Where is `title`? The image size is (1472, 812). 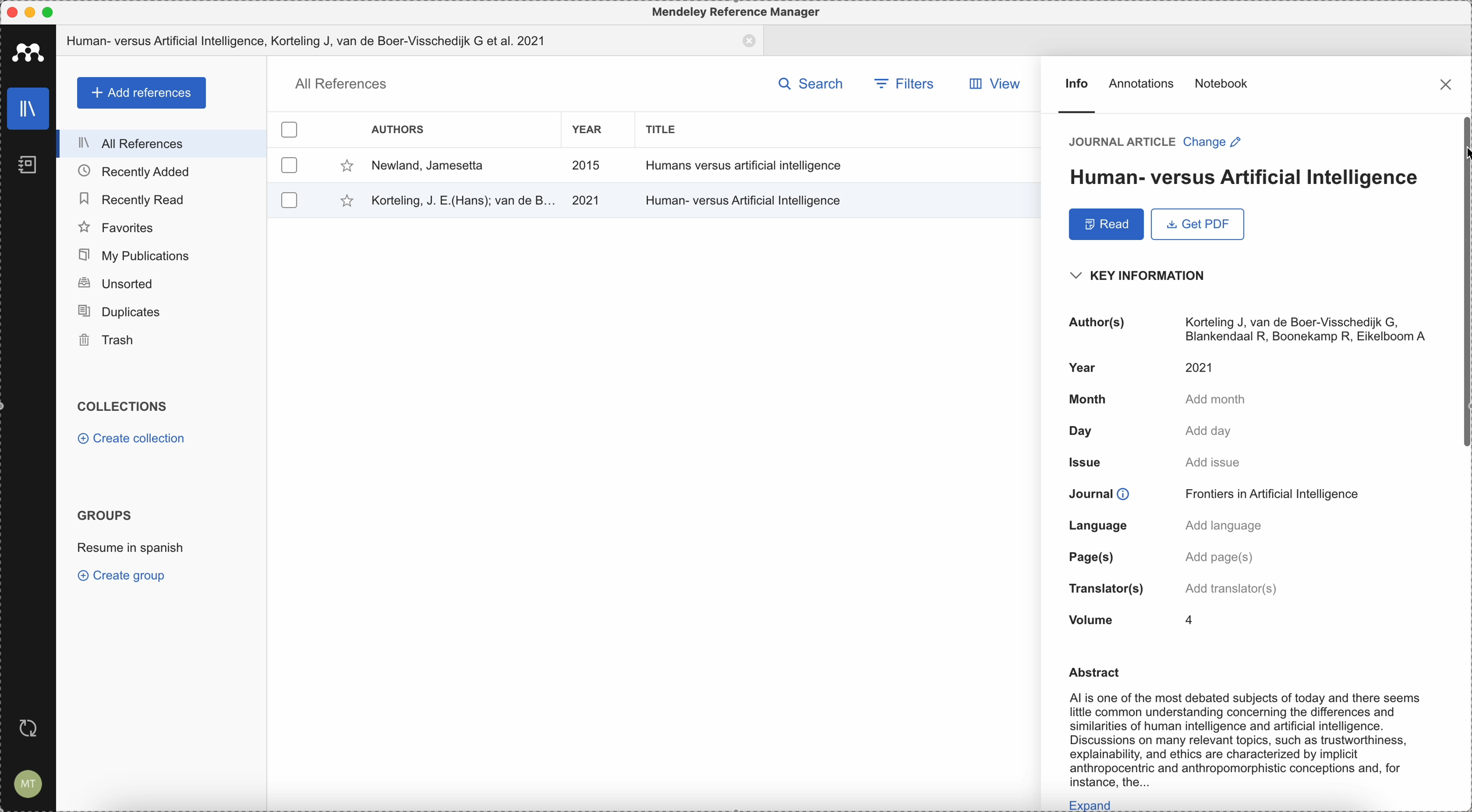 title is located at coordinates (666, 129).